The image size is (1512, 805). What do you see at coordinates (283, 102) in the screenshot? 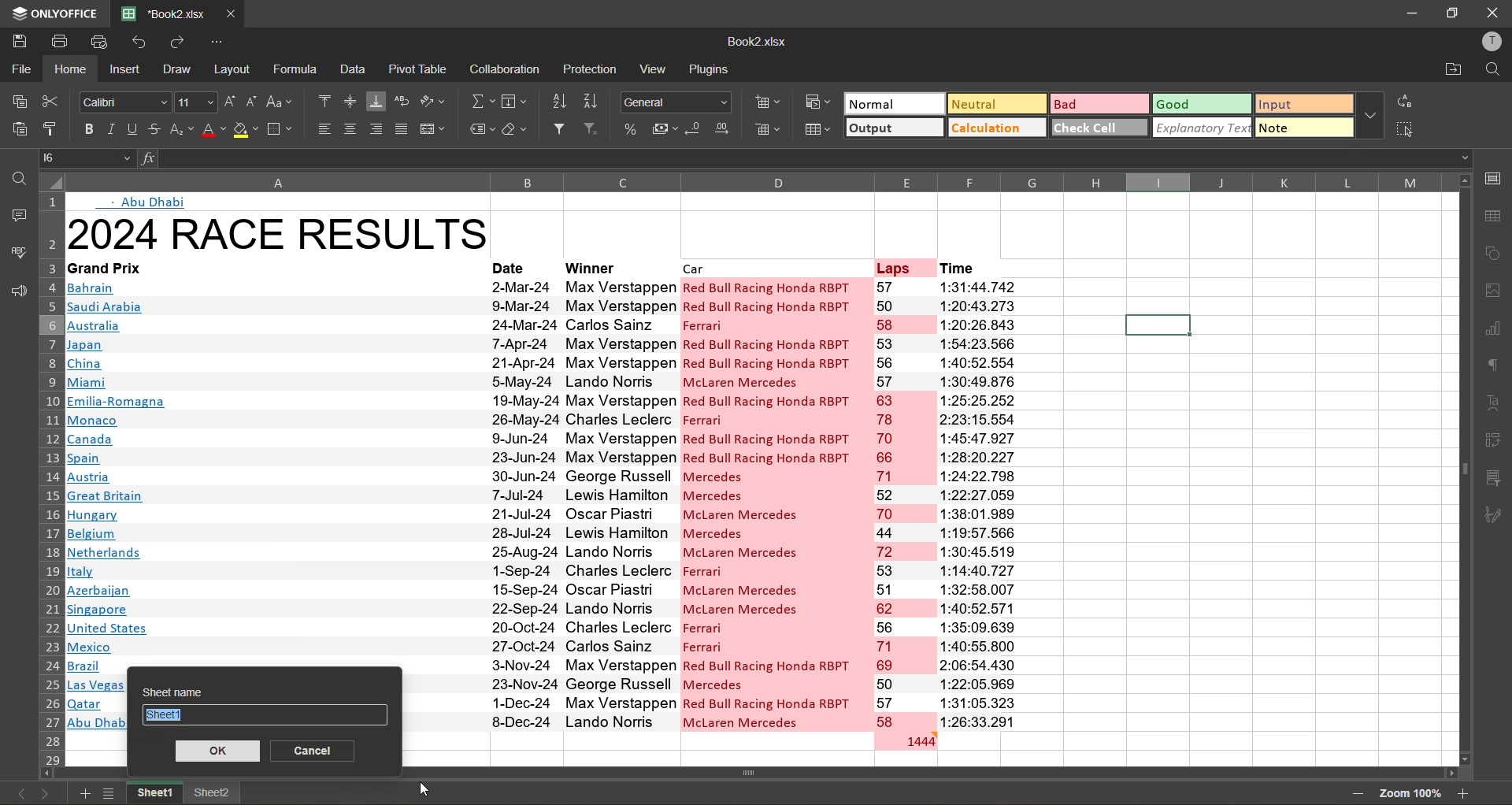
I see `change case` at bounding box center [283, 102].